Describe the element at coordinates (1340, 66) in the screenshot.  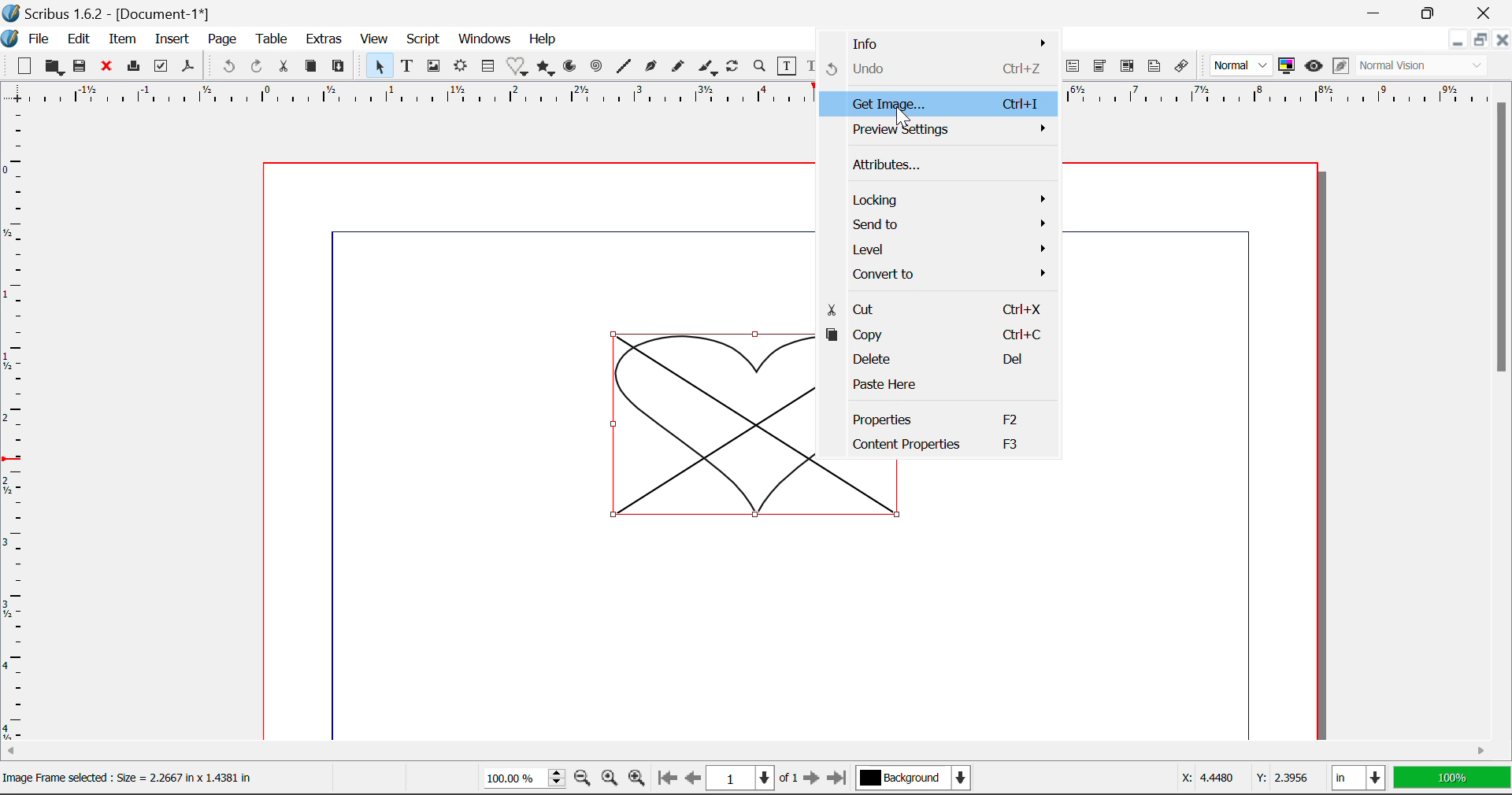
I see `Edit in Preview Mode` at that location.